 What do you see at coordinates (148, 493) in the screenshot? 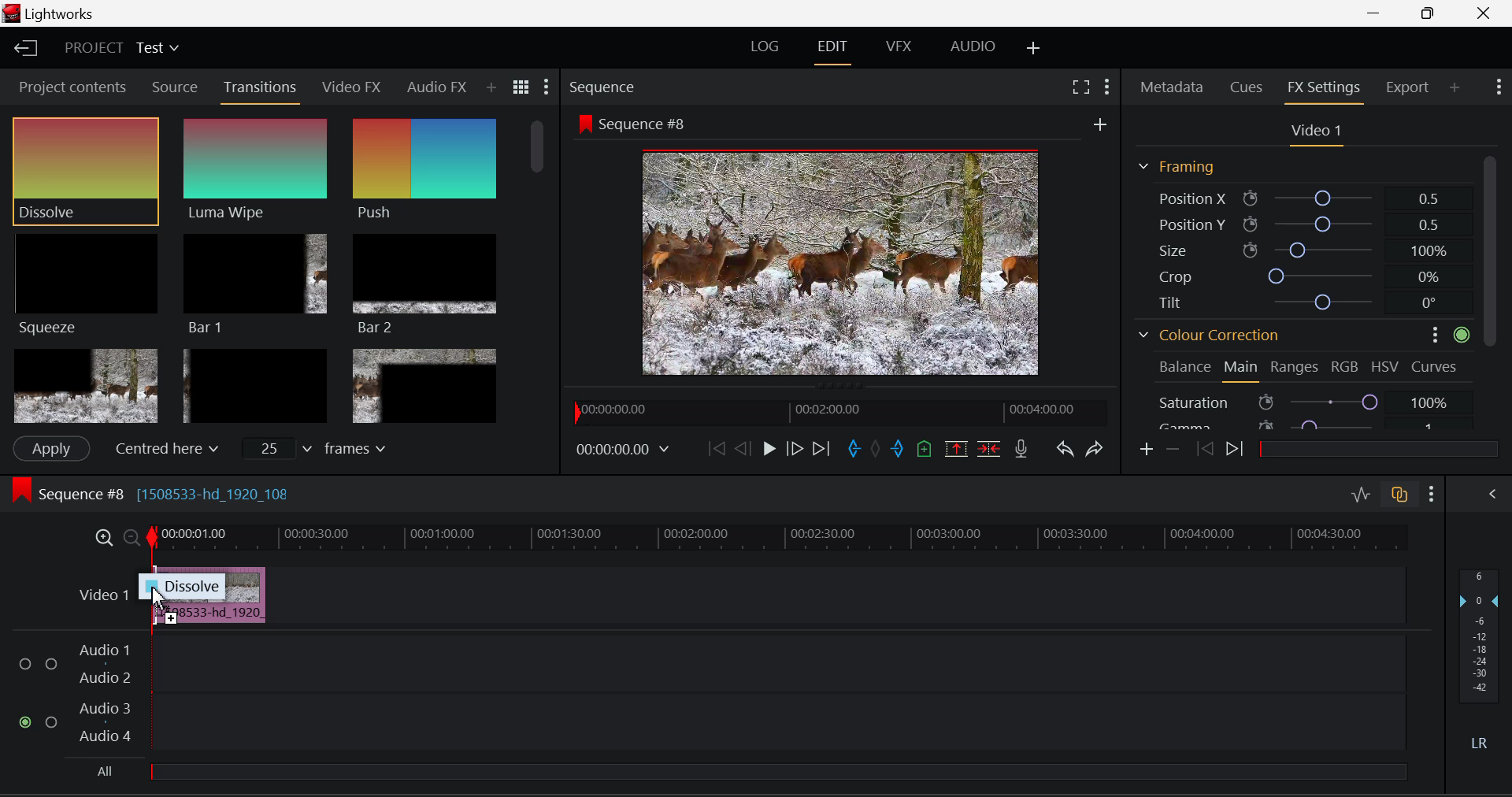
I see `Sequence #8 Editing Section` at bounding box center [148, 493].